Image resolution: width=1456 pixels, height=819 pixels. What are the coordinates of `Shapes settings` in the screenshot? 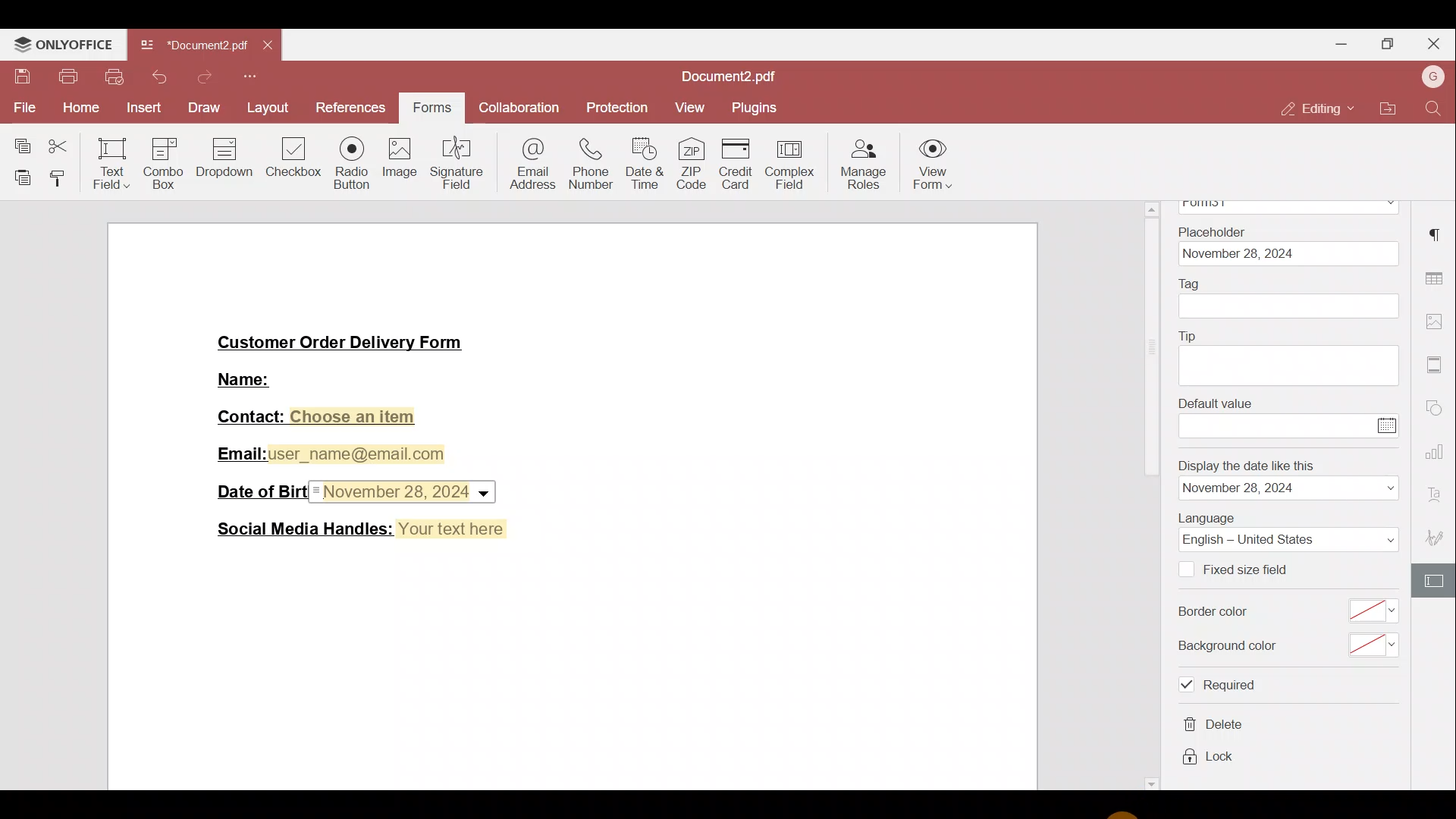 It's located at (1436, 409).